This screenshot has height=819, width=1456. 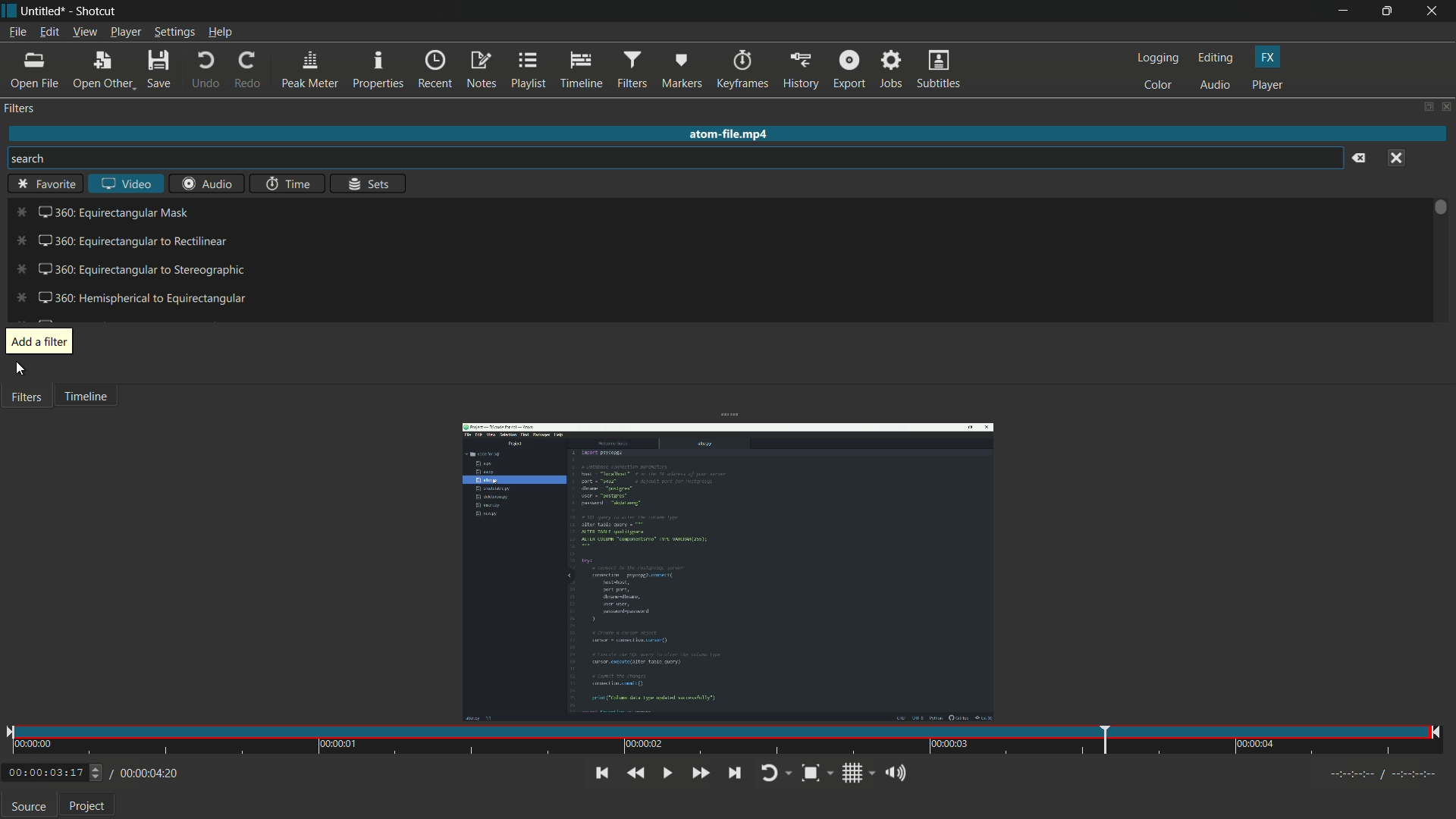 What do you see at coordinates (890, 71) in the screenshot?
I see `jobs` at bounding box center [890, 71].